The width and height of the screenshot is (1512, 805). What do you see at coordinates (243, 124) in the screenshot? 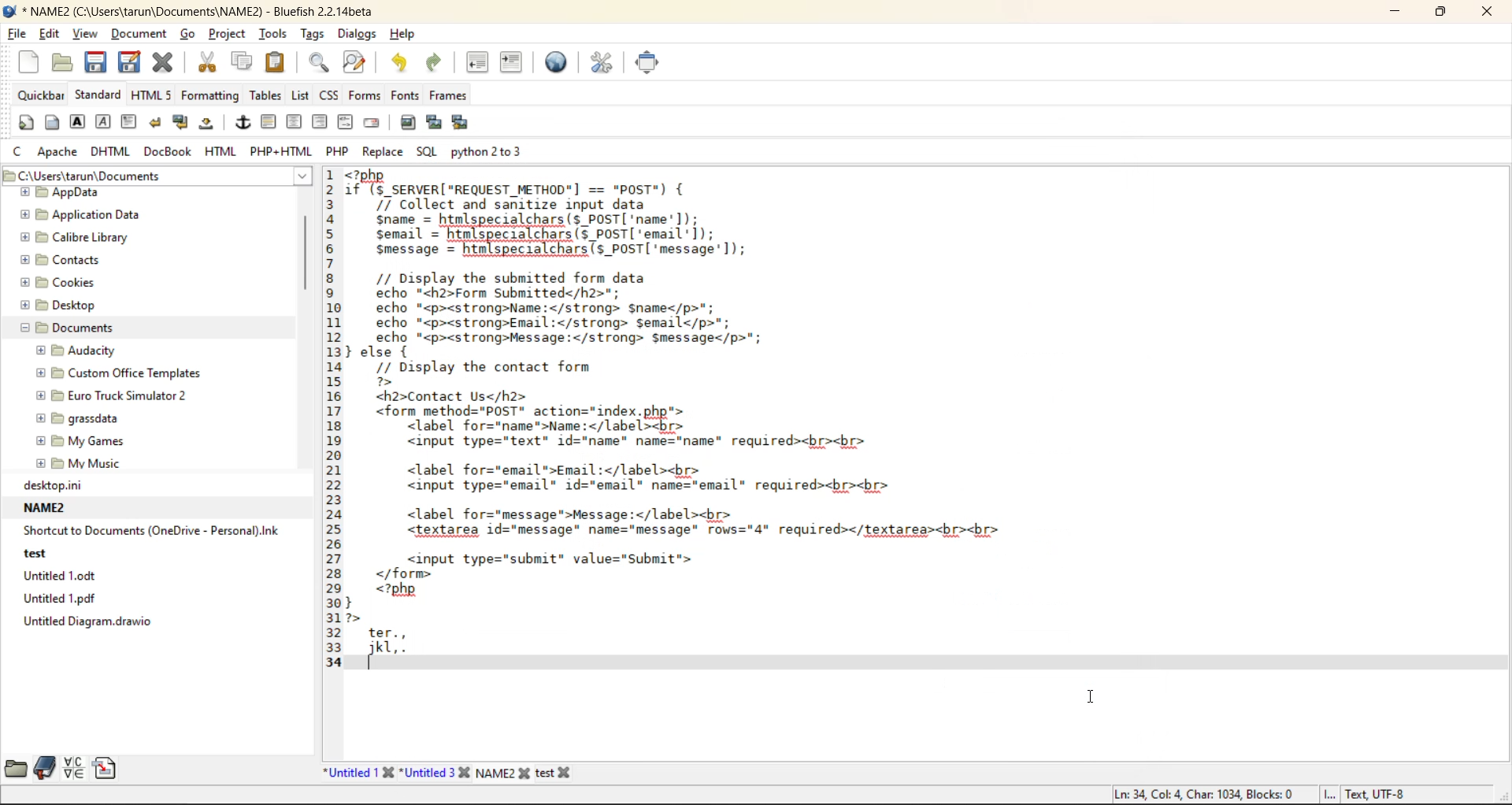
I see `anchor` at bounding box center [243, 124].